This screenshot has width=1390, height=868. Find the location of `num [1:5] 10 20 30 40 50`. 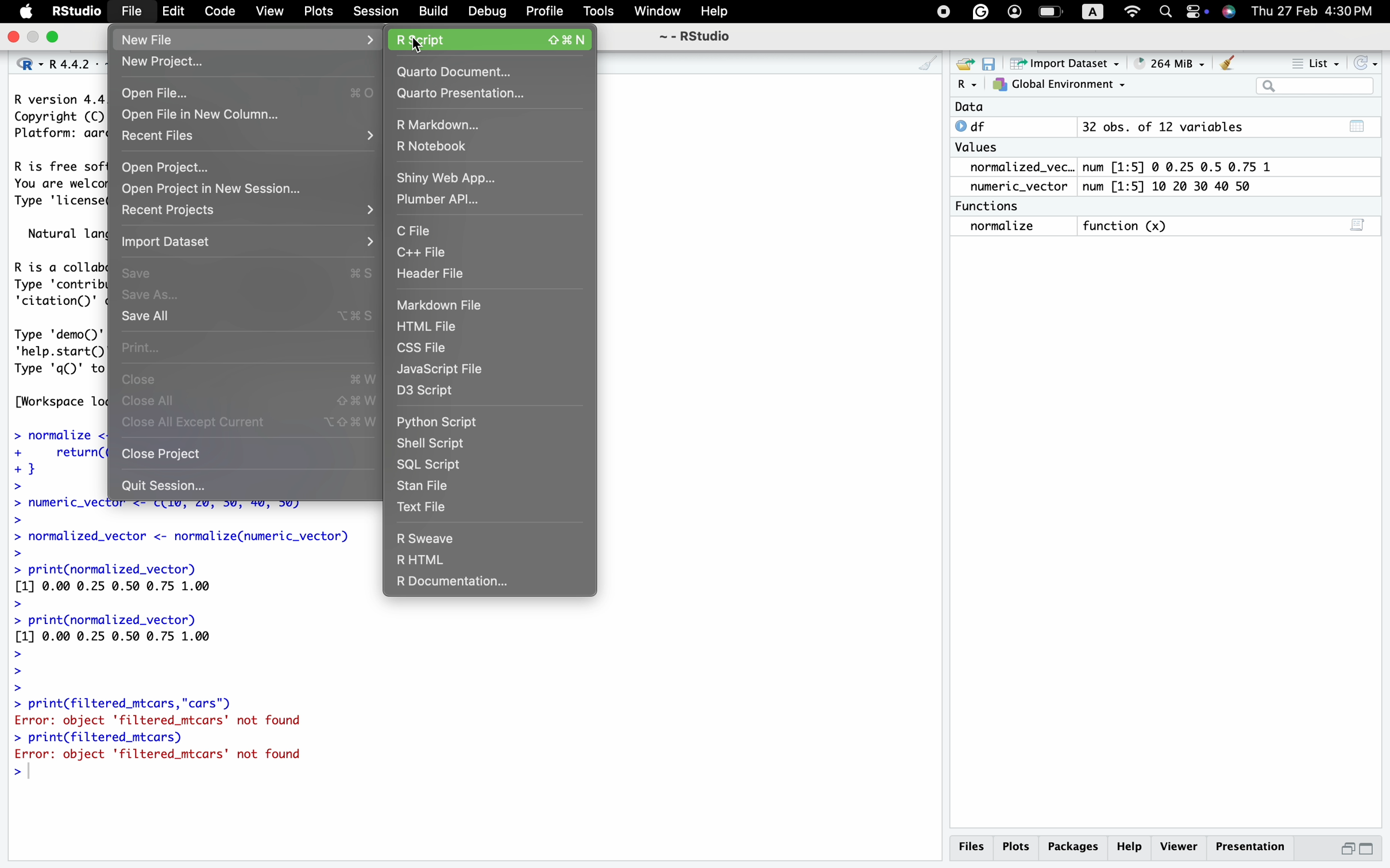

num [1:5] 10 20 30 40 50 is located at coordinates (1175, 186).